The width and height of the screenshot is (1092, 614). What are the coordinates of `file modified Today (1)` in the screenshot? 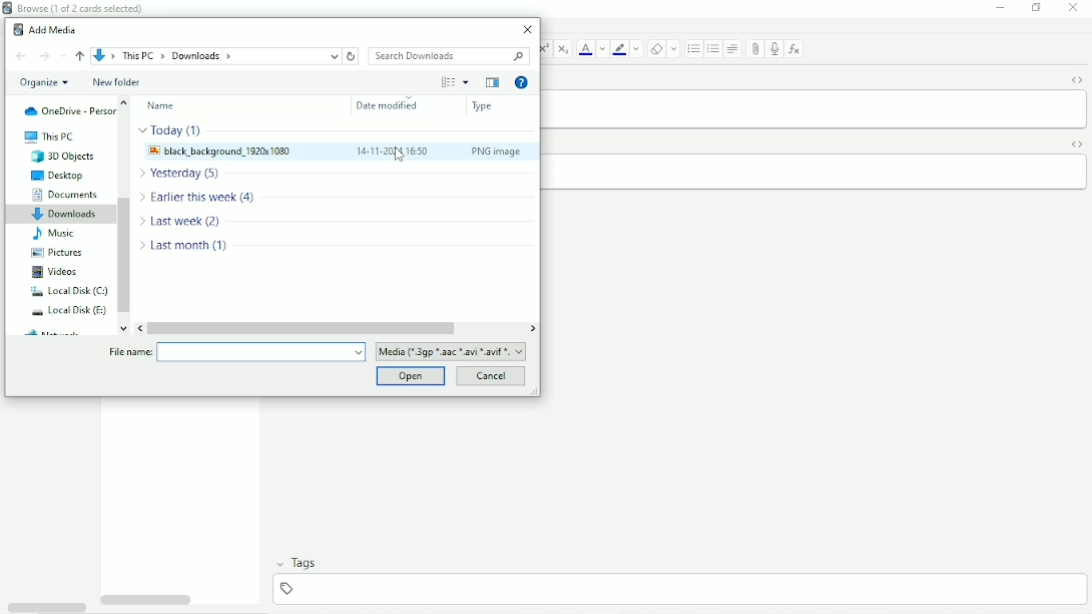 It's located at (171, 131).